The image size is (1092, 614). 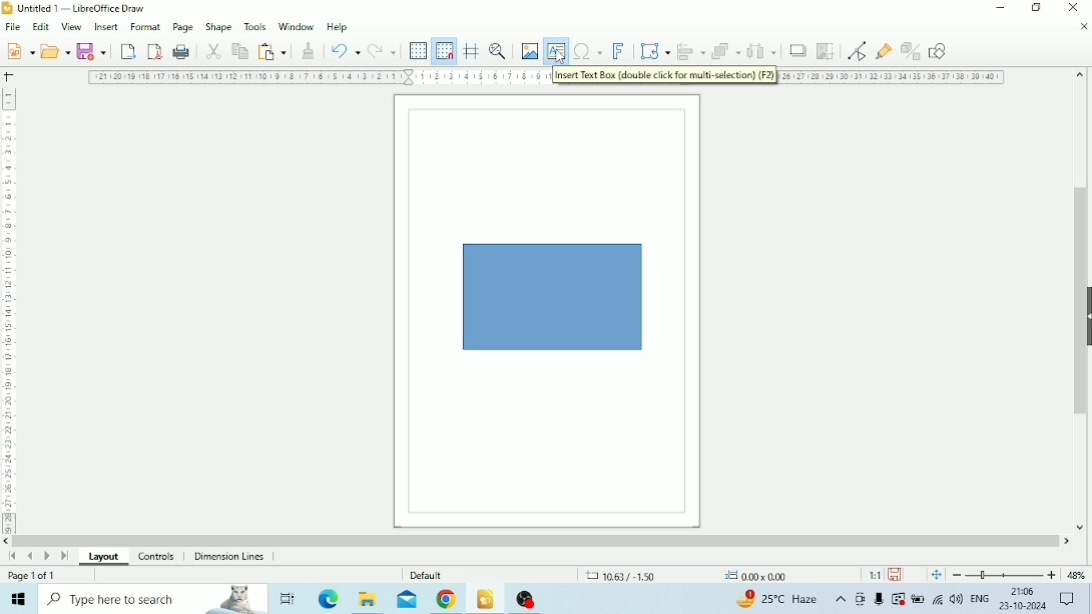 What do you see at coordinates (106, 26) in the screenshot?
I see `Insert` at bounding box center [106, 26].